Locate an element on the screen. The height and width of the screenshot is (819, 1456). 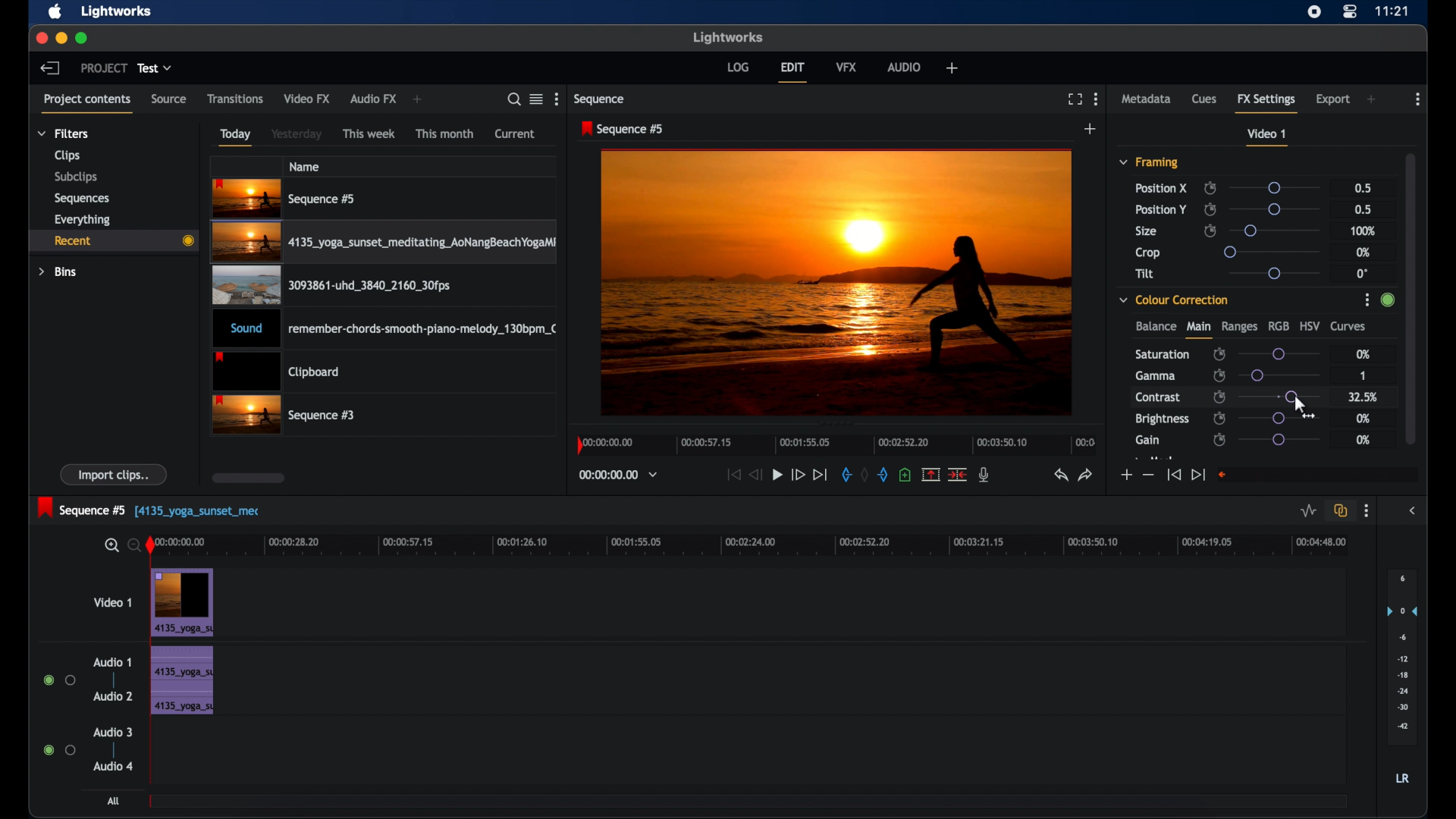
slider is located at coordinates (1281, 397).